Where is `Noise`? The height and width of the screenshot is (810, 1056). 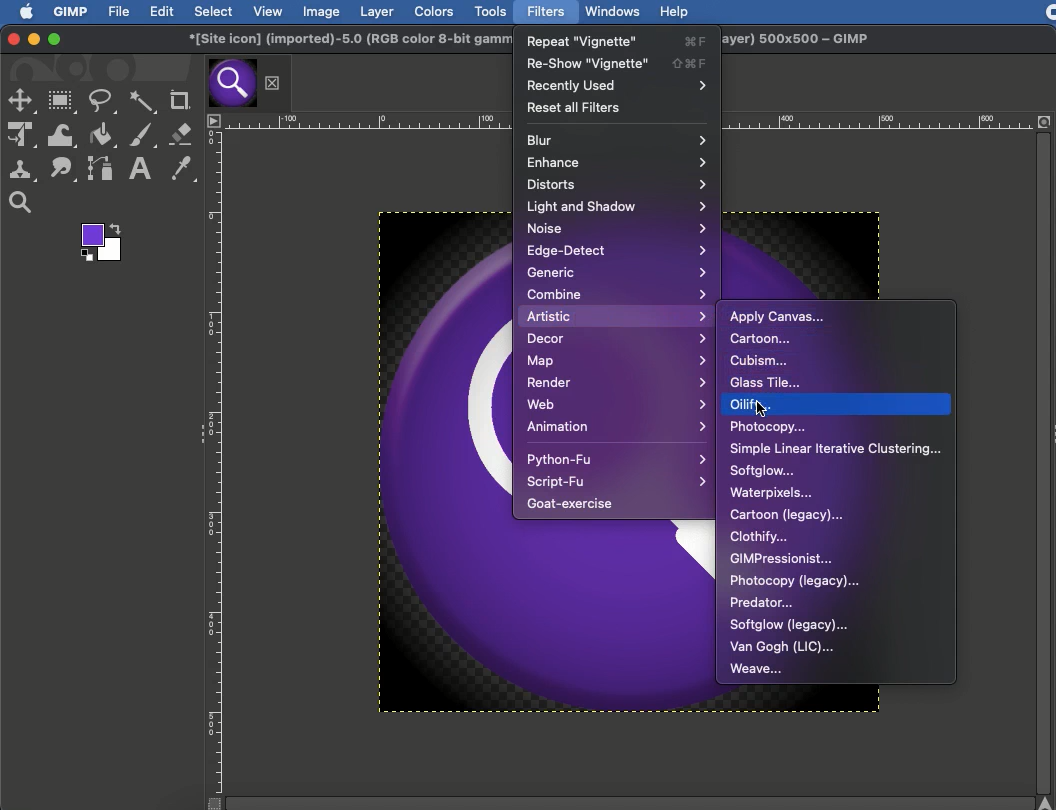 Noise is located at coordinates (617, 227).